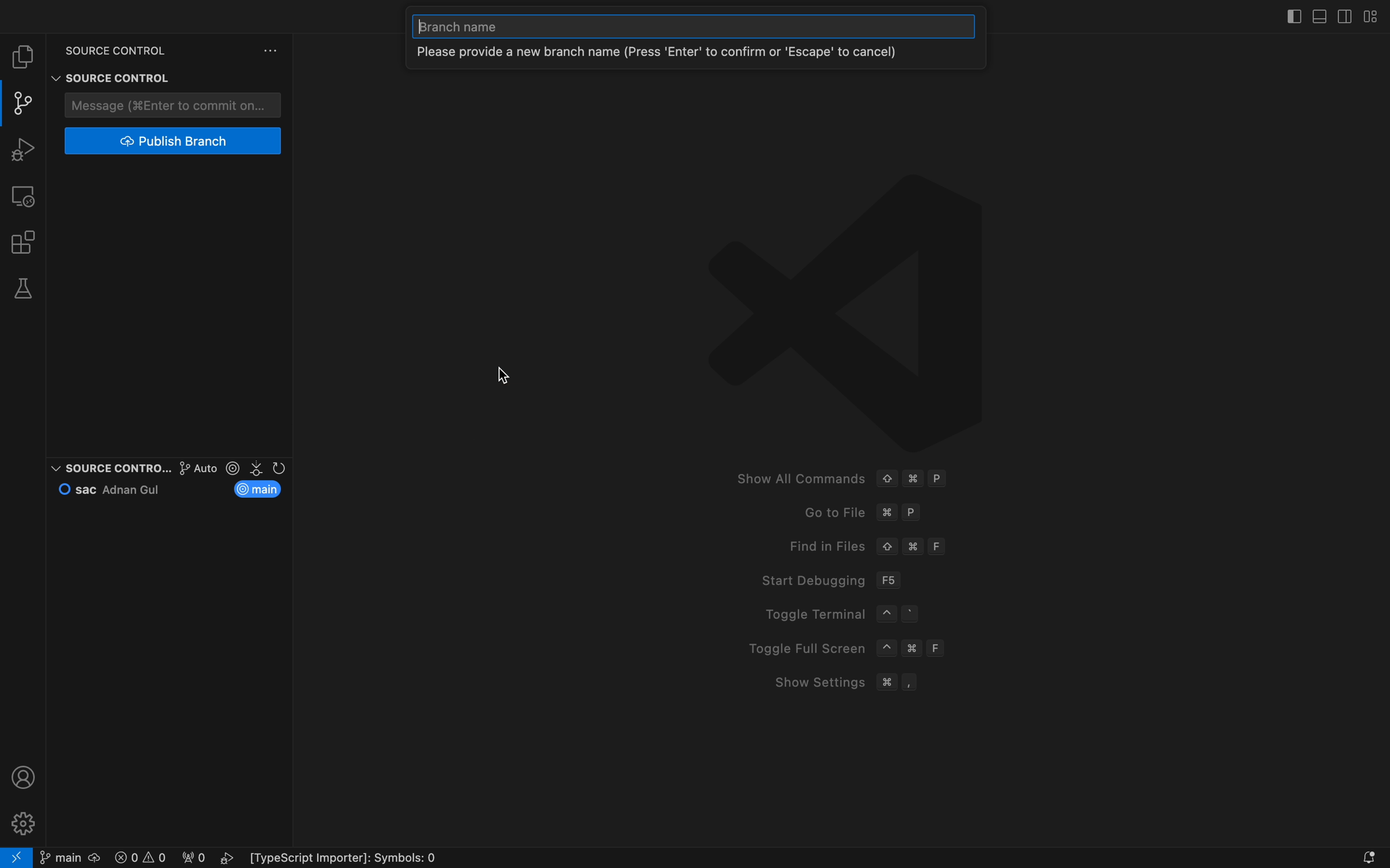  I want to click on error logs, so click(282, 858).